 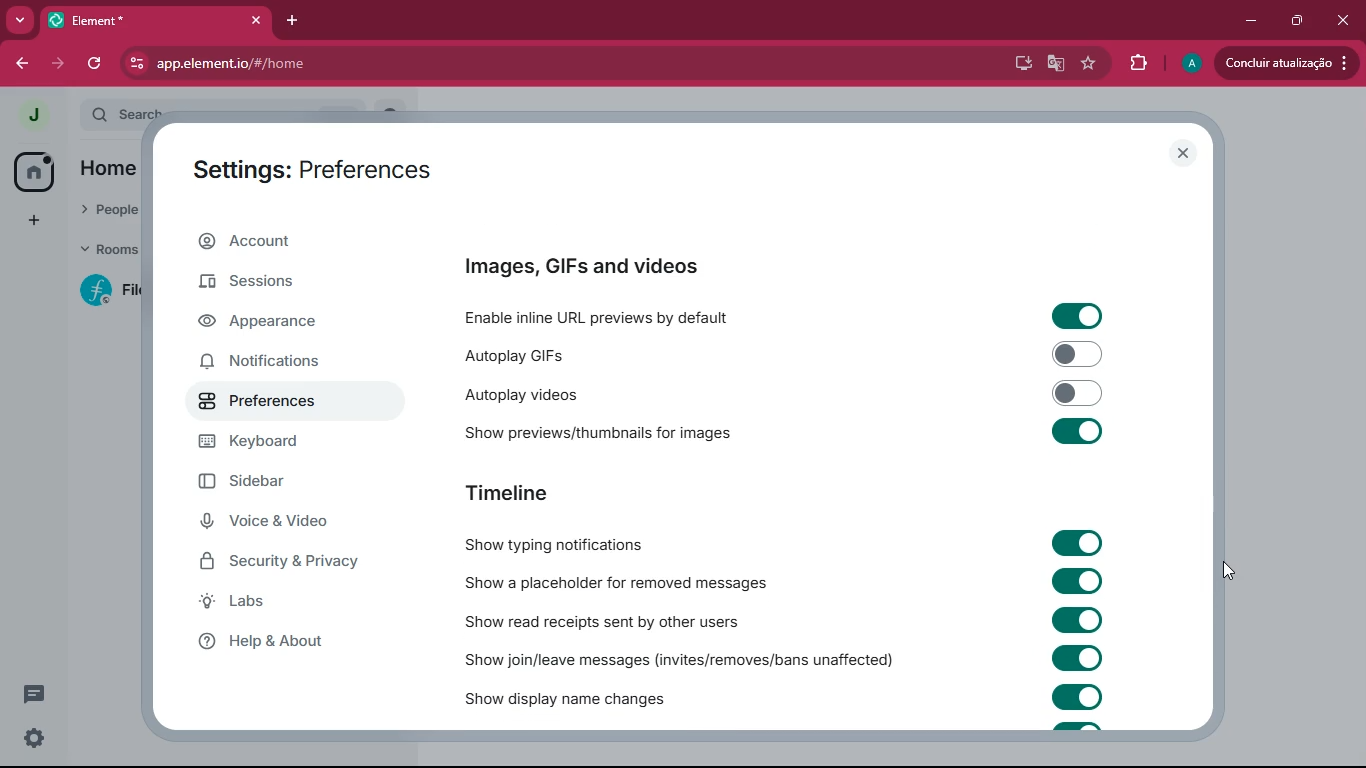 I want to click on desktop, so click(x=1018, y=63).